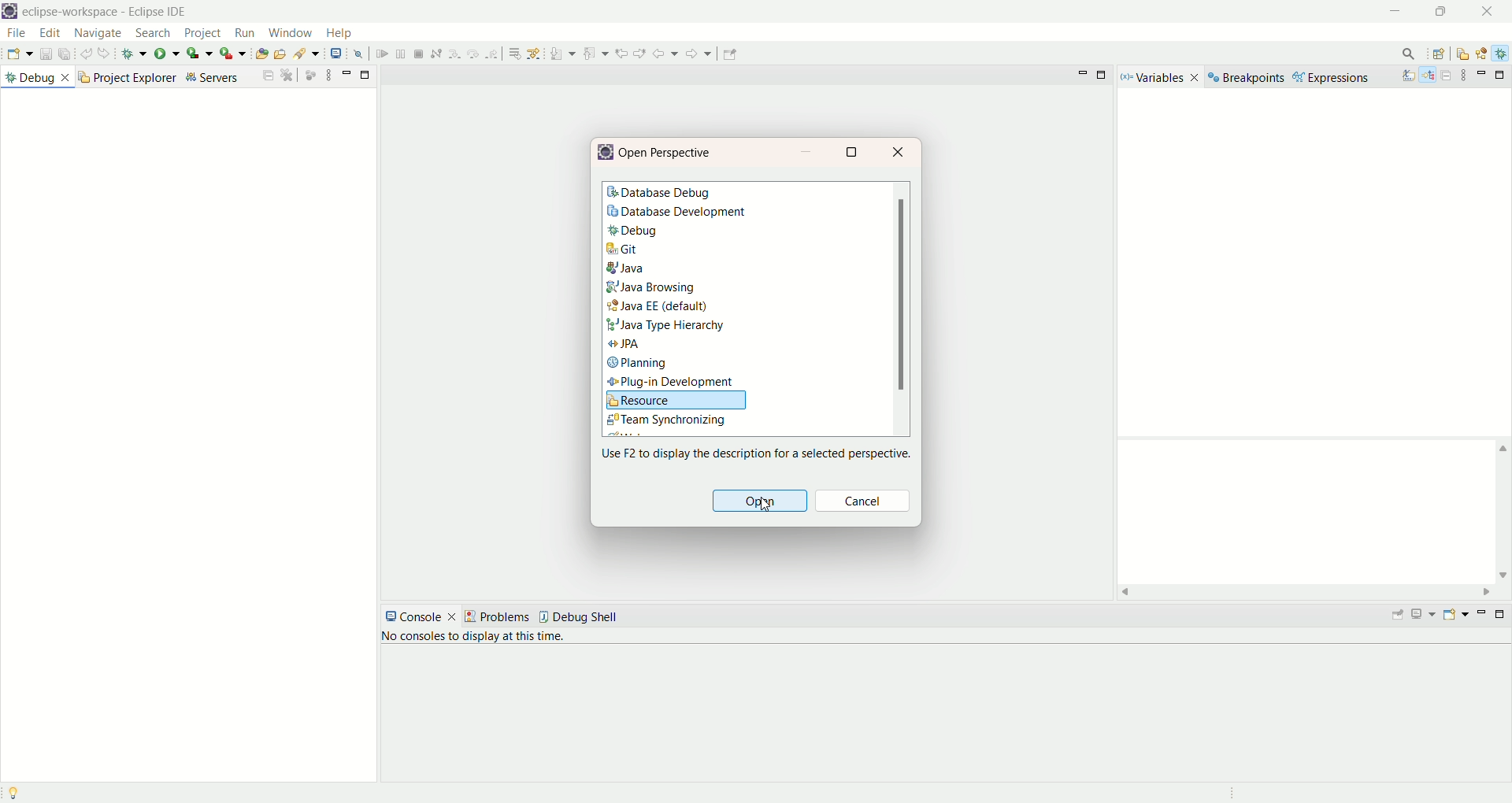 Image resolution: width=1512 pixels, height=803 pixels. I want to click on expressions, so click(1333, 80).